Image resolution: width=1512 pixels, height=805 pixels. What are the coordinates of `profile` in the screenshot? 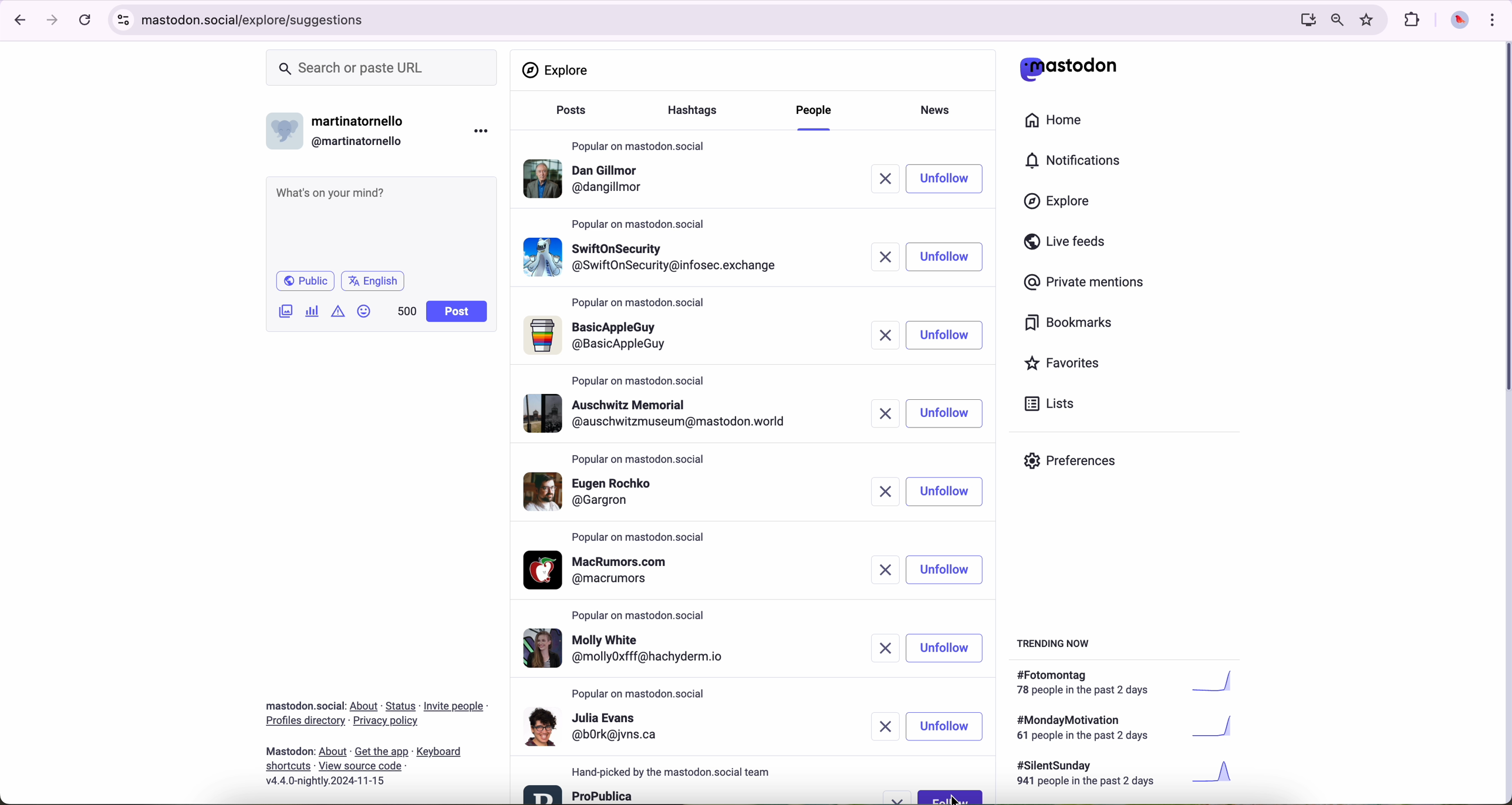 It's located at (595, 726).